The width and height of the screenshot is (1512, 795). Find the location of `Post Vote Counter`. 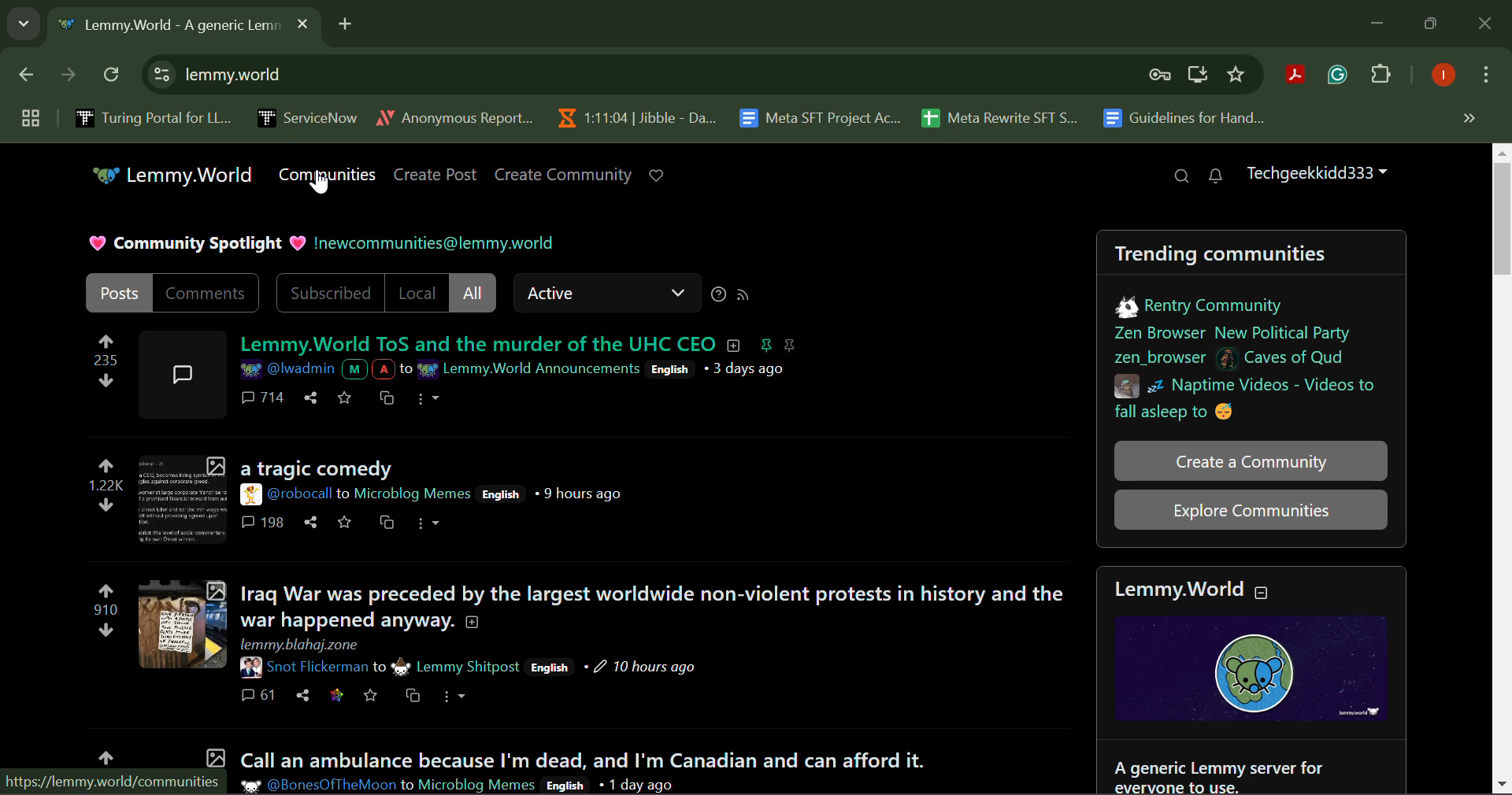

Post Vote Counter is located at coordinates (107, 361).